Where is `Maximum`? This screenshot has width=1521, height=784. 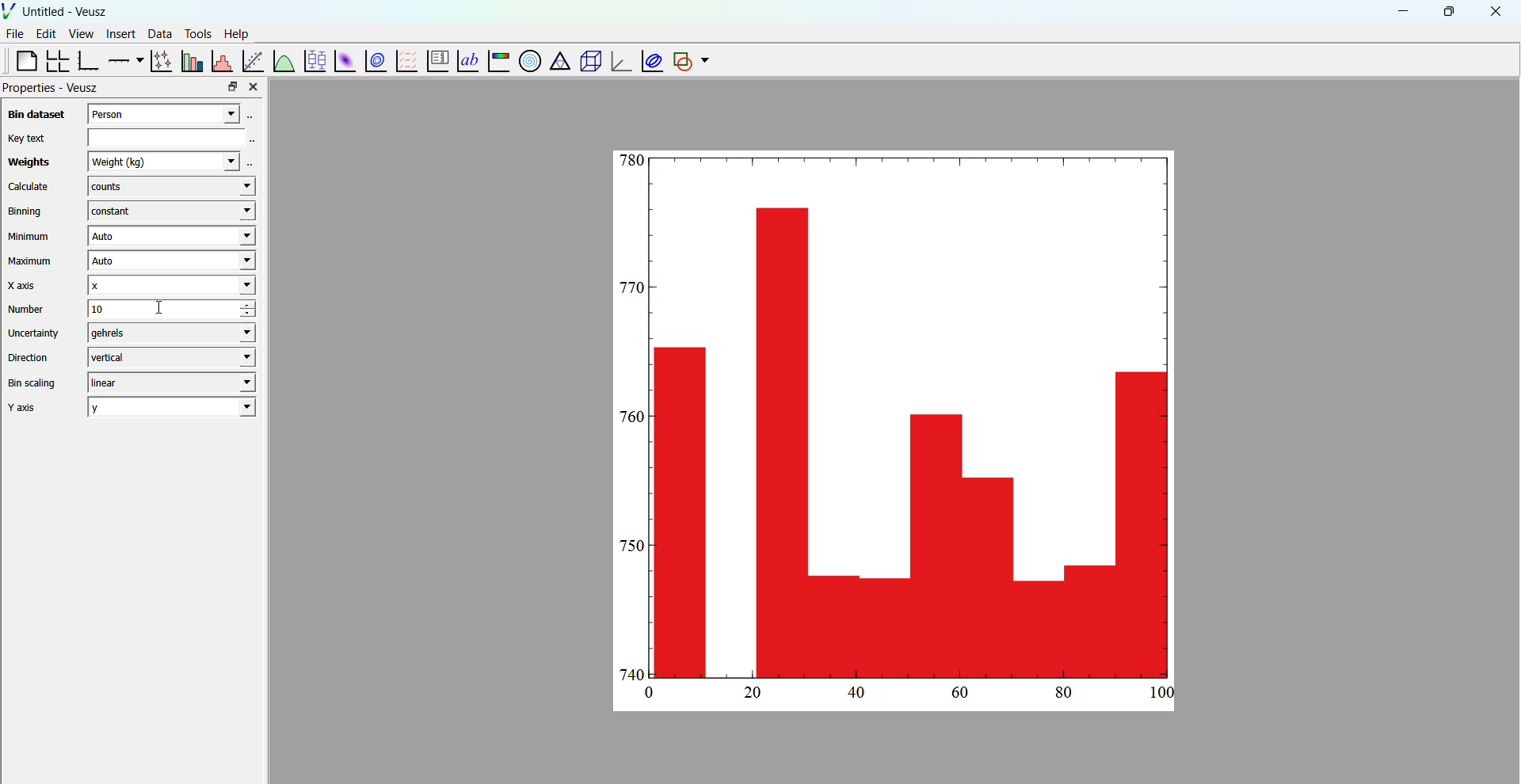
Maximum is located at coordinates (32, 261).